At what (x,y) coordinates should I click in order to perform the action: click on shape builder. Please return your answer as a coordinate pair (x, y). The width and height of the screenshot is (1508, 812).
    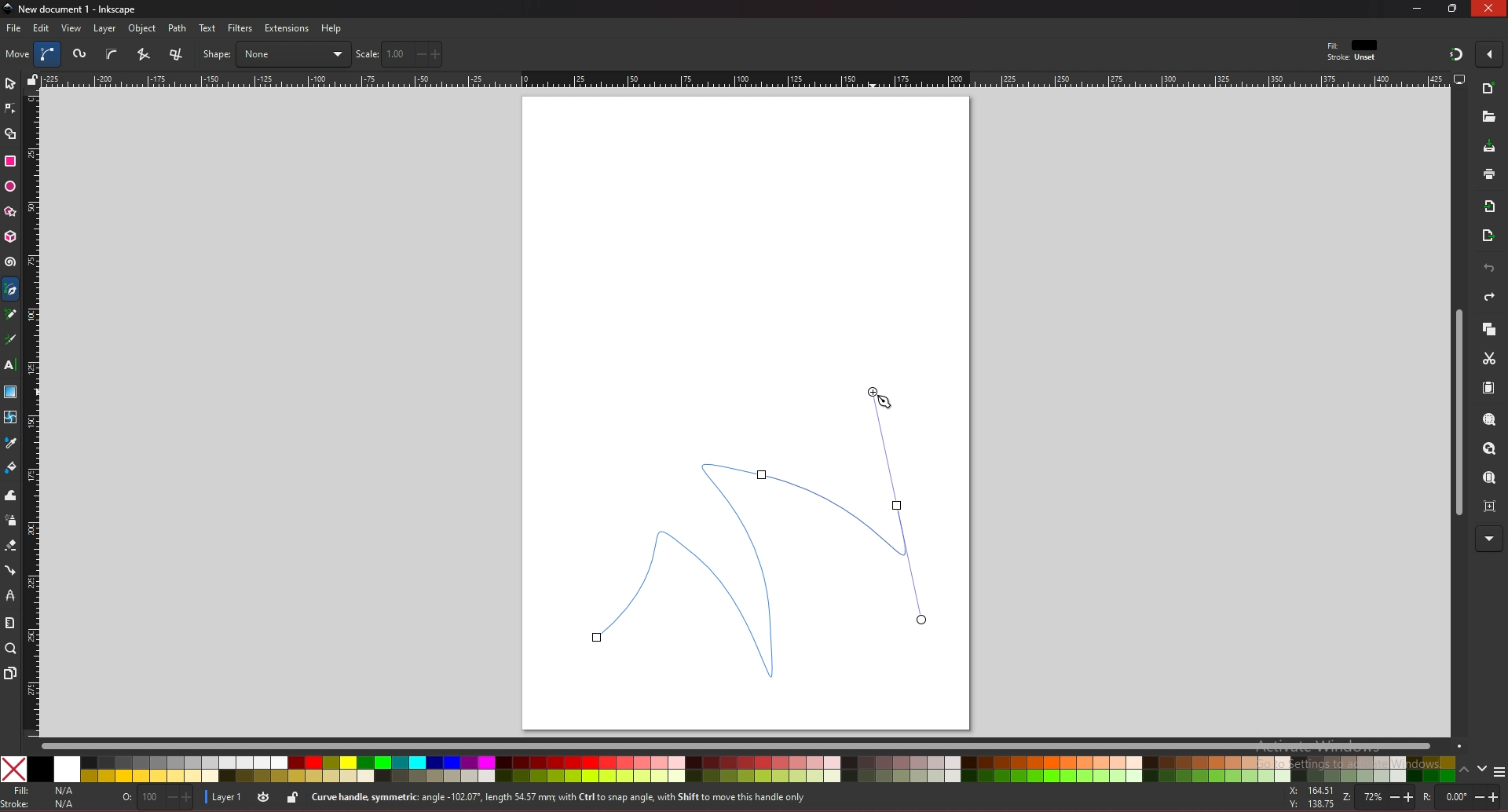
    Looking at the image, I should click on (11, 134).